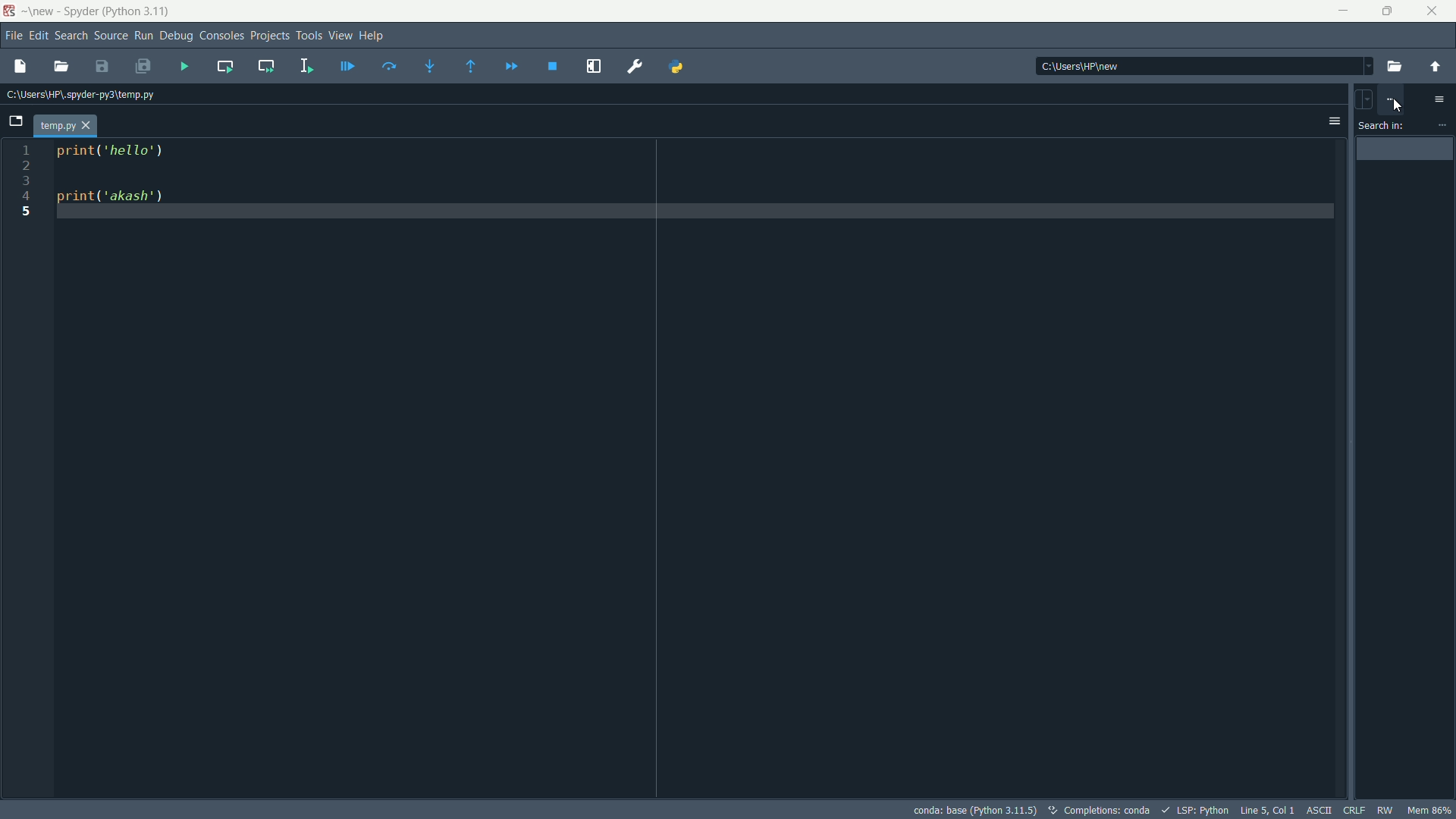  Describe the element at coordinates (175, 37) in the screenshot. I see `Debug Menu` at that location.